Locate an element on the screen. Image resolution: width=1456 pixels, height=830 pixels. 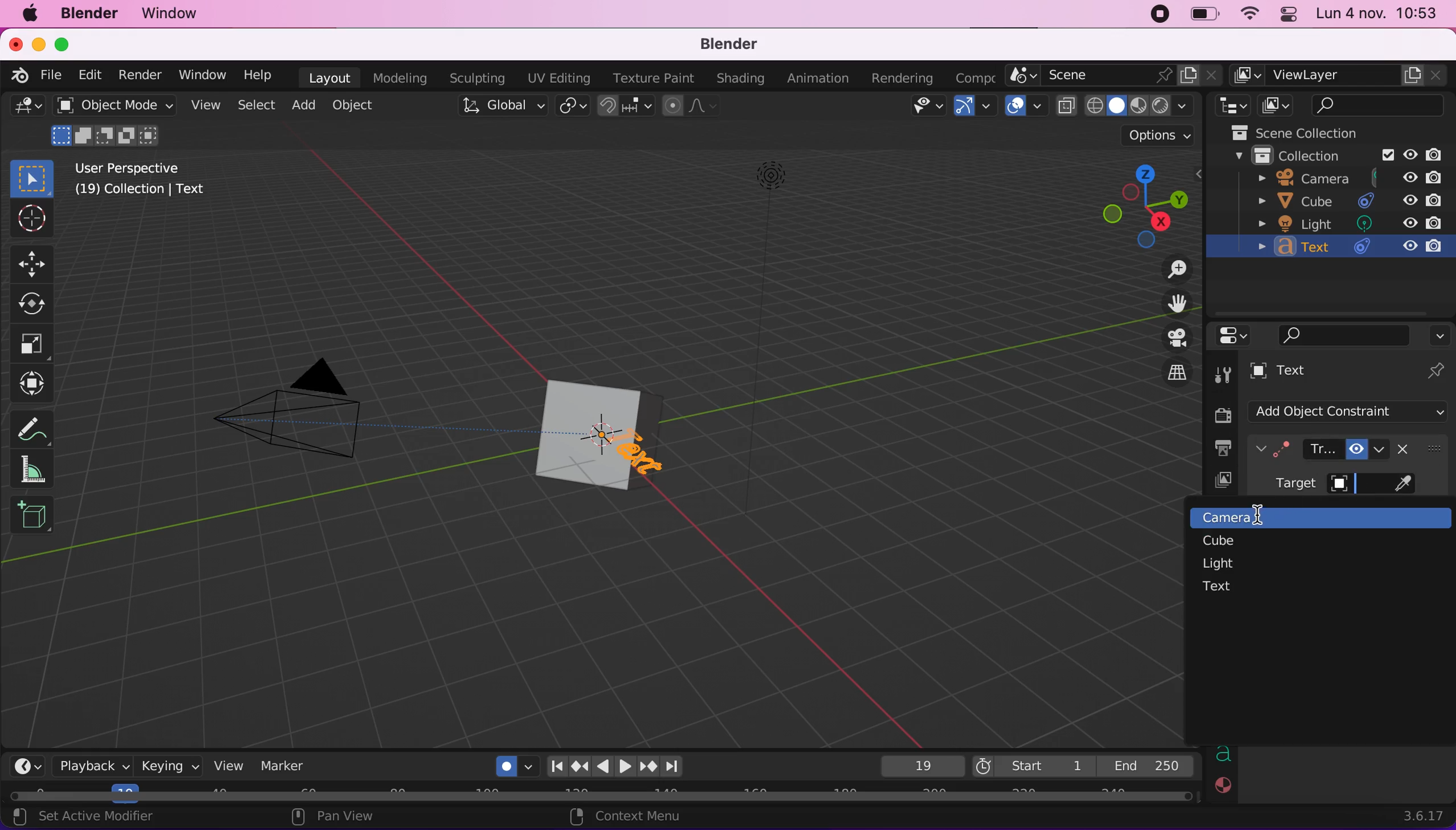
recording stopped is located at coordinates (1156, 15).